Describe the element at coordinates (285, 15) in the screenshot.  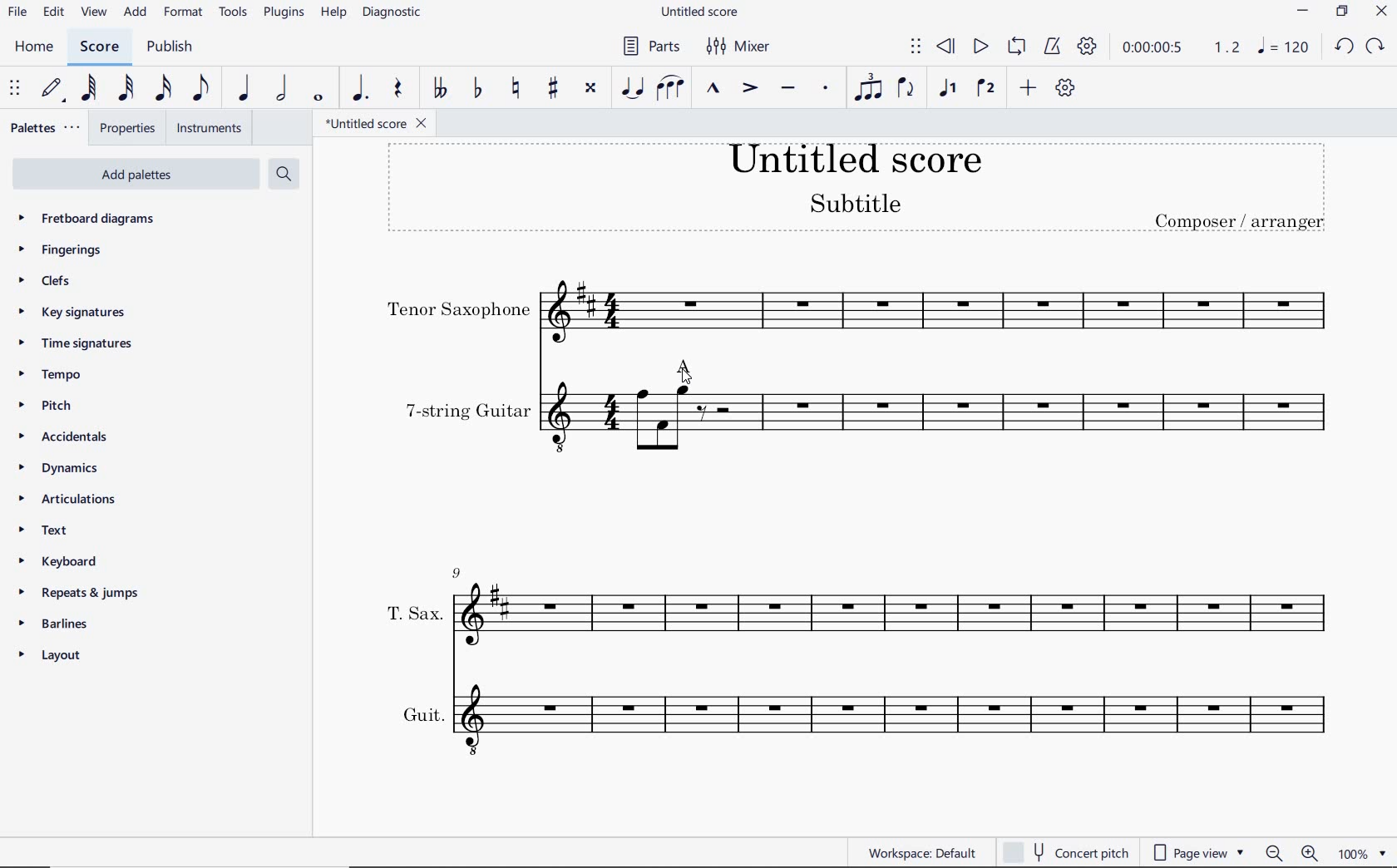
I see `PLUGINS` at that location.